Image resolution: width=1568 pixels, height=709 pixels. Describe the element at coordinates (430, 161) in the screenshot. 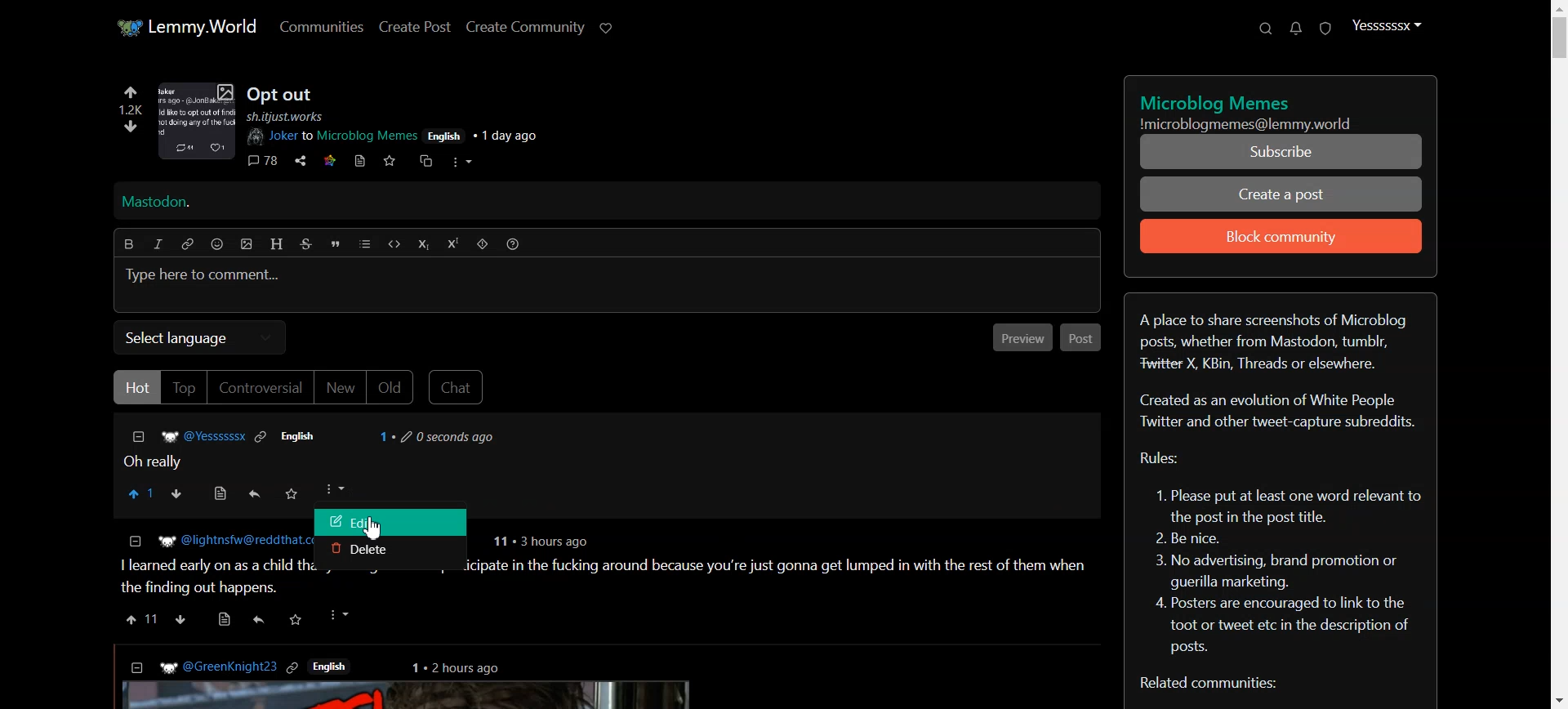

I see `cross share` at that location.